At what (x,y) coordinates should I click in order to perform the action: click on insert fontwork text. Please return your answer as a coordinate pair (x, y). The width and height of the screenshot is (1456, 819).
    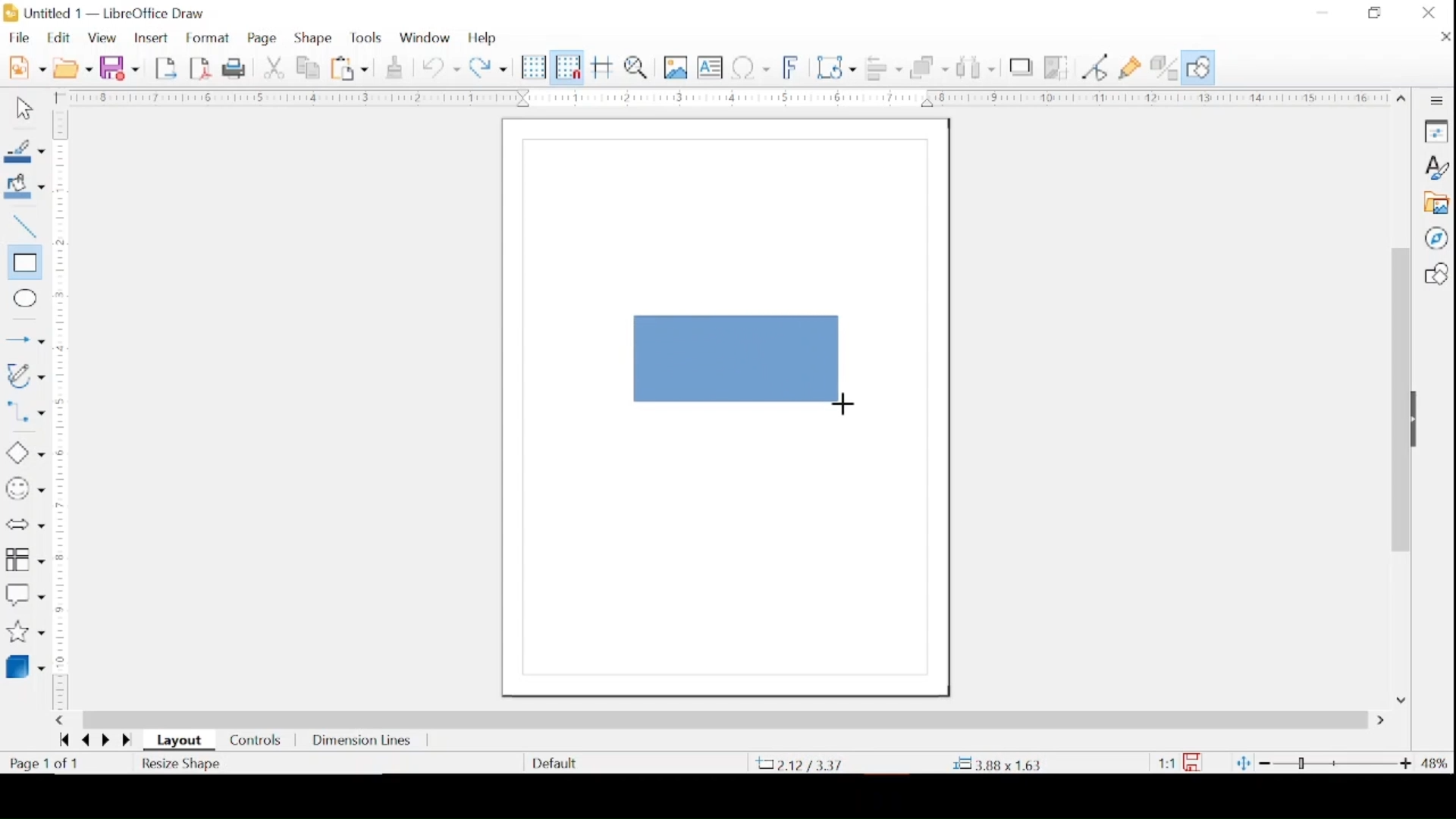
    Looking at the image, I should click on (792, 66).